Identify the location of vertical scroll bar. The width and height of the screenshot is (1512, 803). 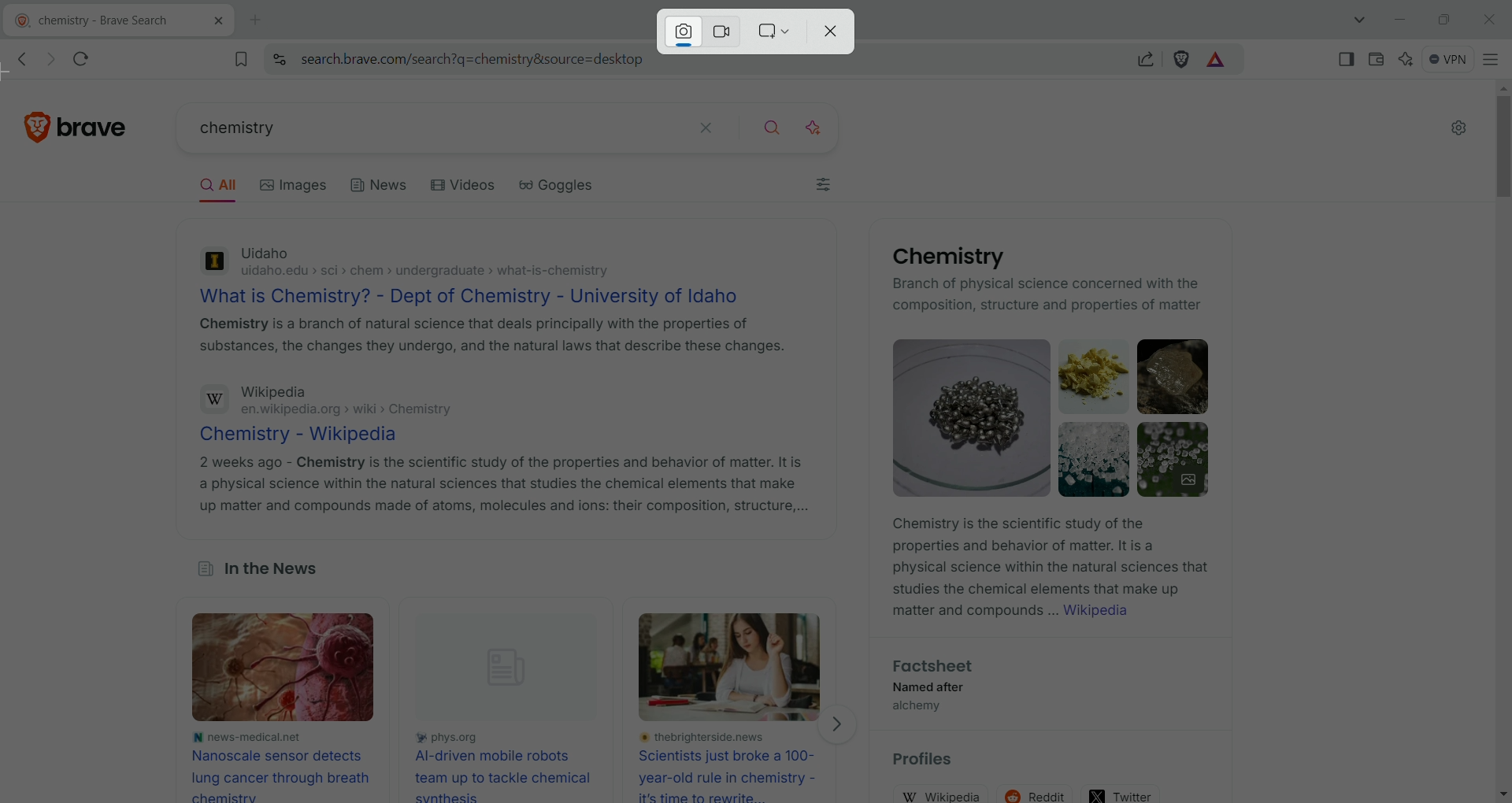
(1499, 439).